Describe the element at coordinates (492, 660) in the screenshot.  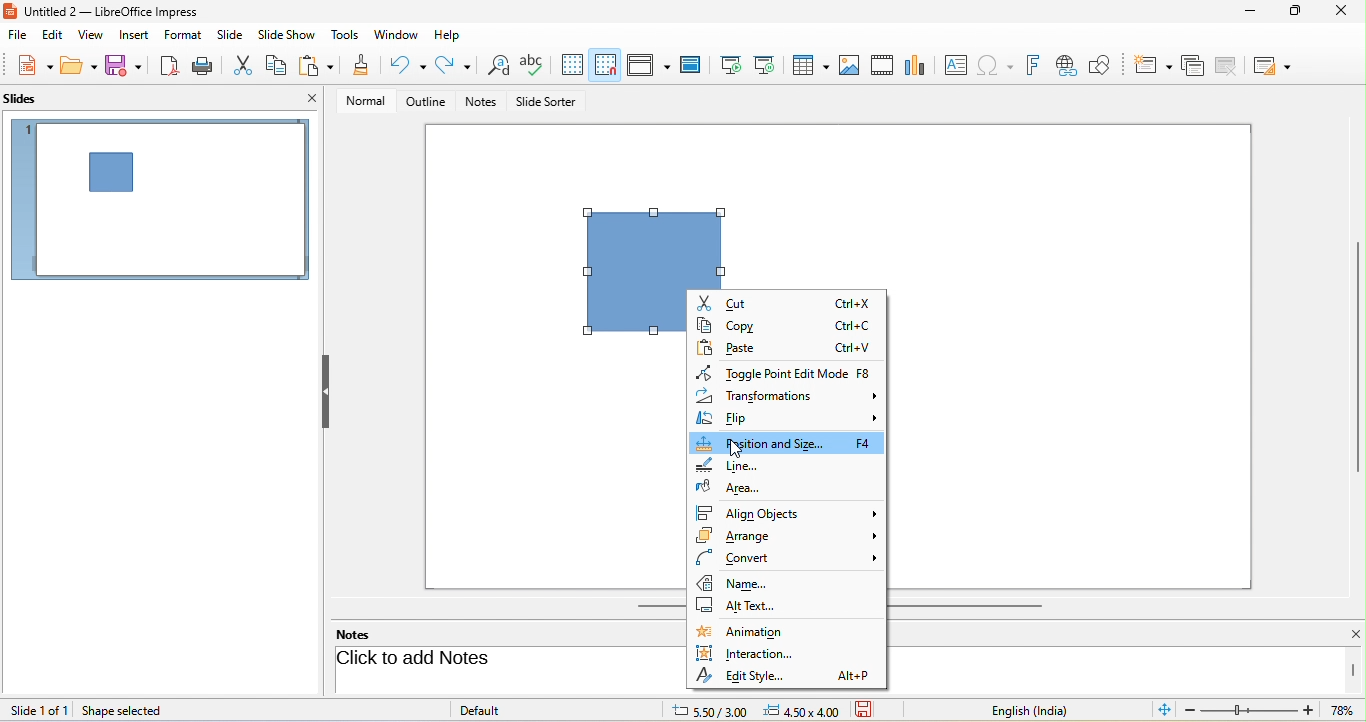
I see `click to add notes` at that location.